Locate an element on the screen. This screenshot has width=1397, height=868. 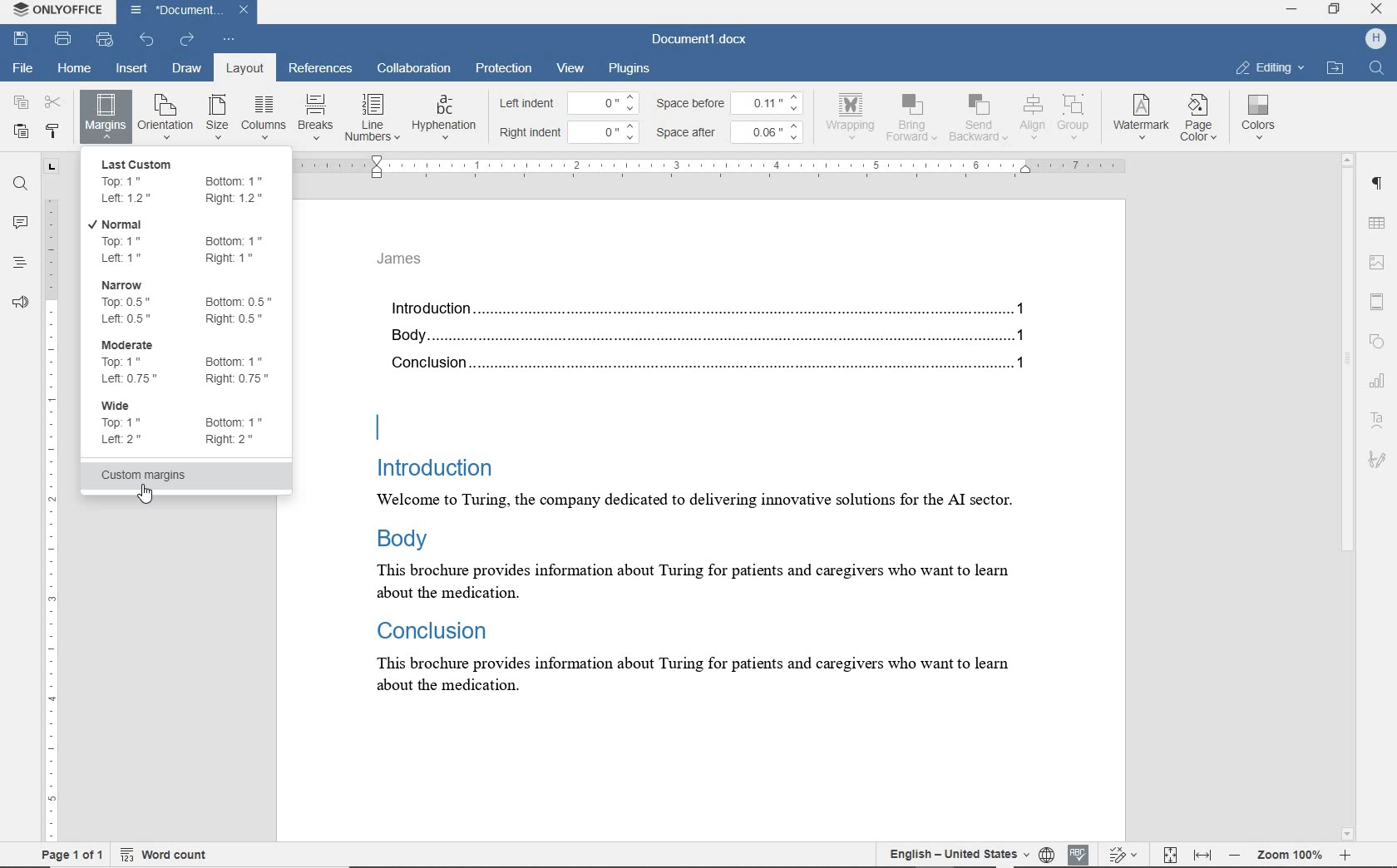
send backward is located at coordinates (978, 120).